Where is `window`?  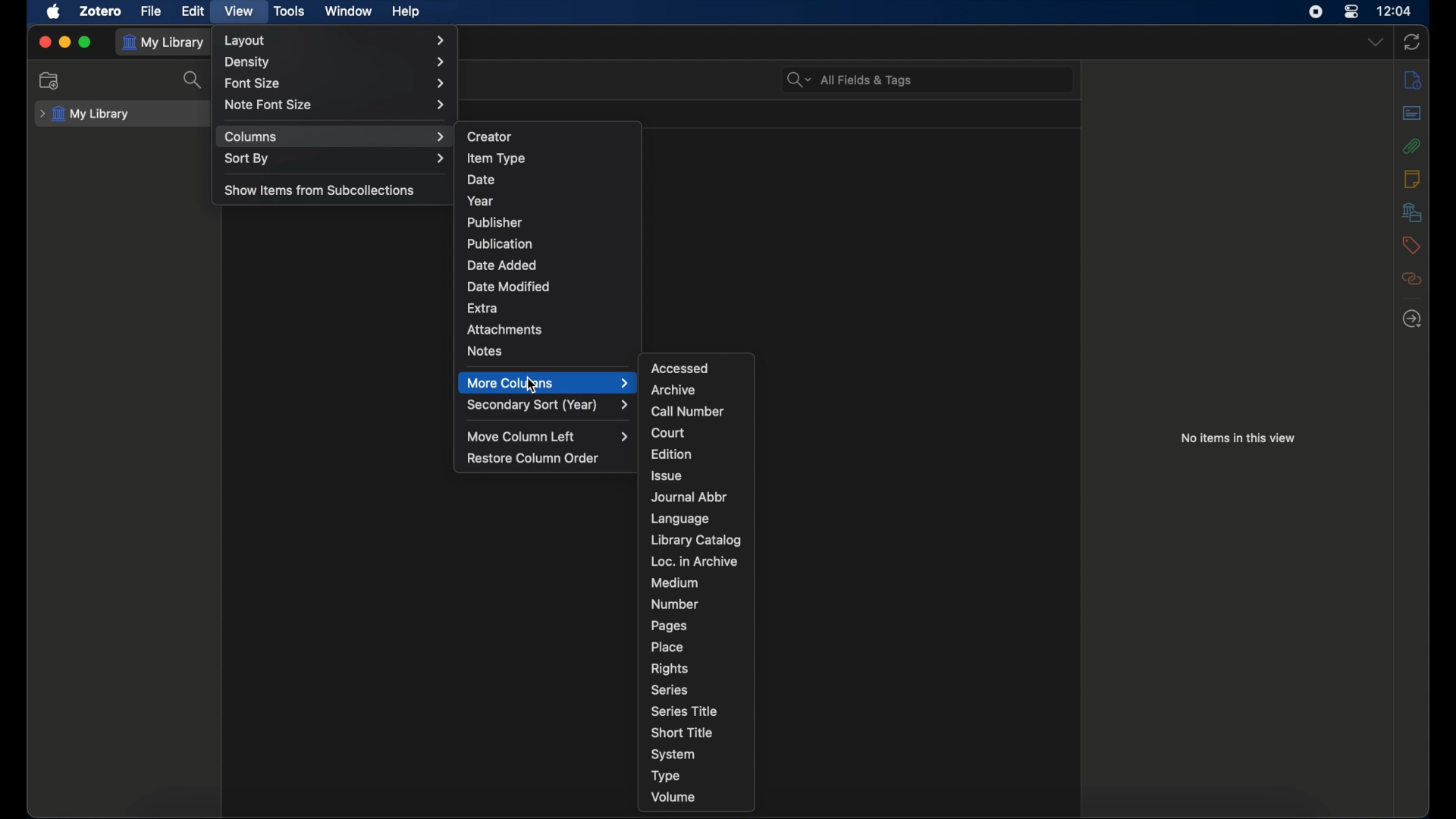 window is located at coordinates (347, 12).